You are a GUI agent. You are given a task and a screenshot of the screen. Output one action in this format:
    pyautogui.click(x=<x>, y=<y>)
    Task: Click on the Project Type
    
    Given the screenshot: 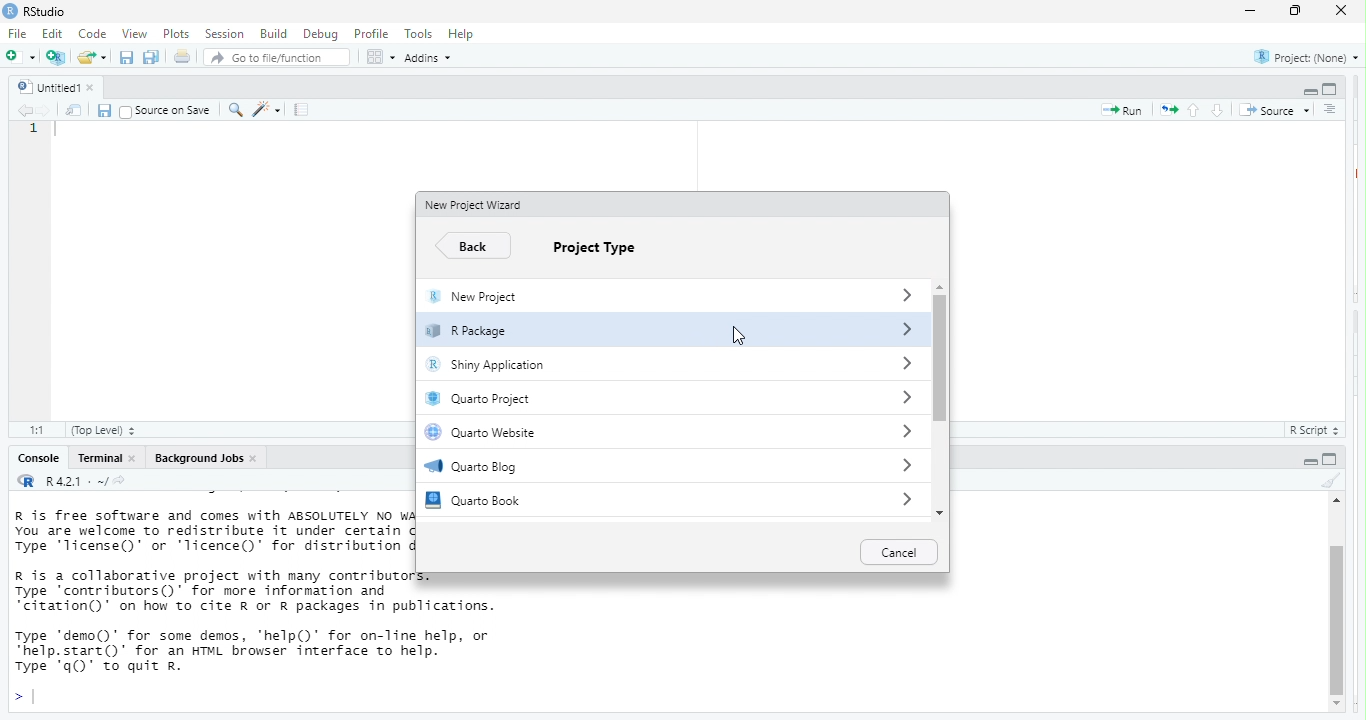 What is the action you would take?
    pyautogui.click(x=610, y=249)
    